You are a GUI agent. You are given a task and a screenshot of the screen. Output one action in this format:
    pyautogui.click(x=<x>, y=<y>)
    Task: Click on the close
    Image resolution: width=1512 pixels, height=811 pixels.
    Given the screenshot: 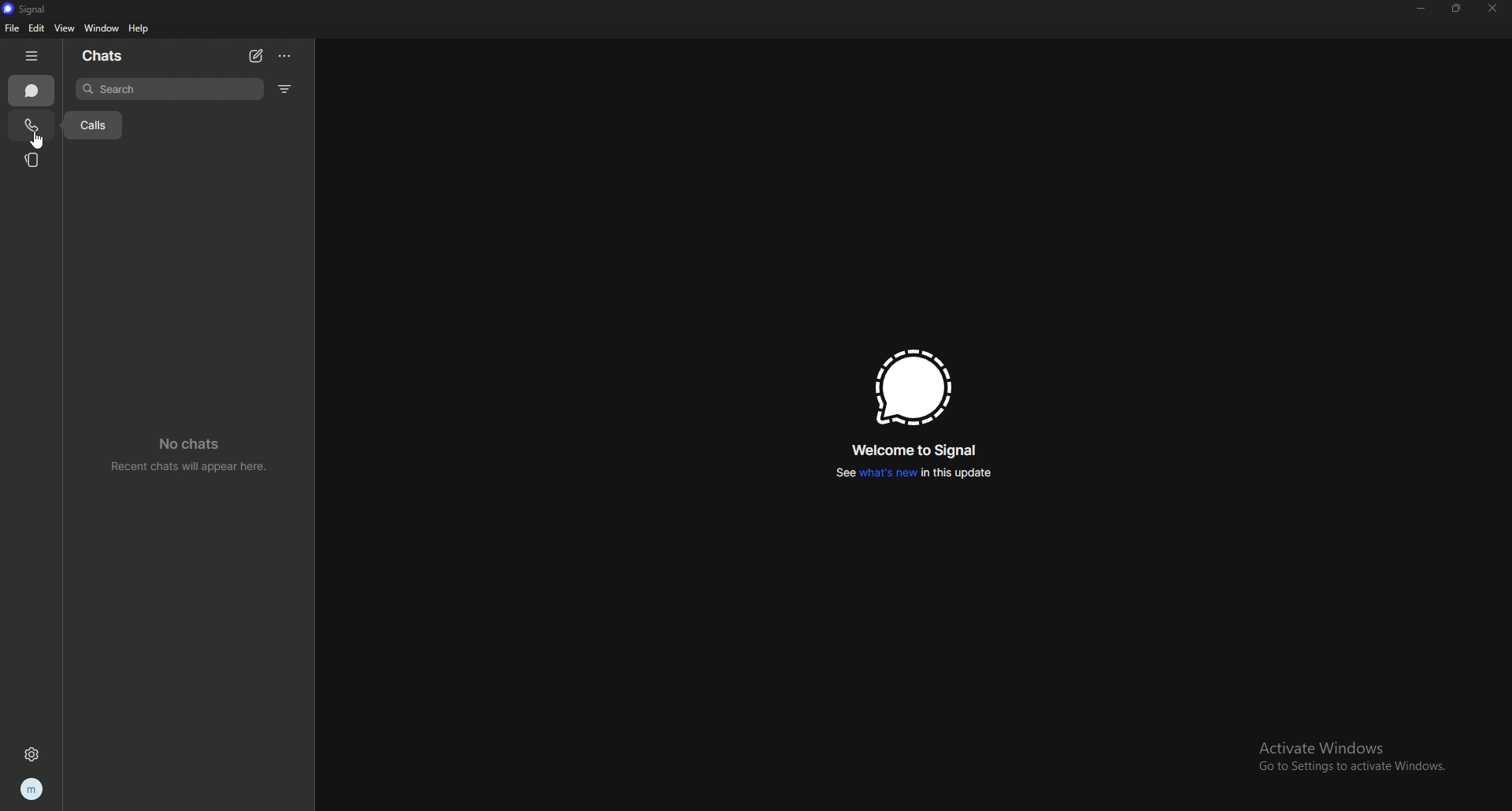 What is the action you would take?
    pyautogui.click(x=1494, y=9)
    